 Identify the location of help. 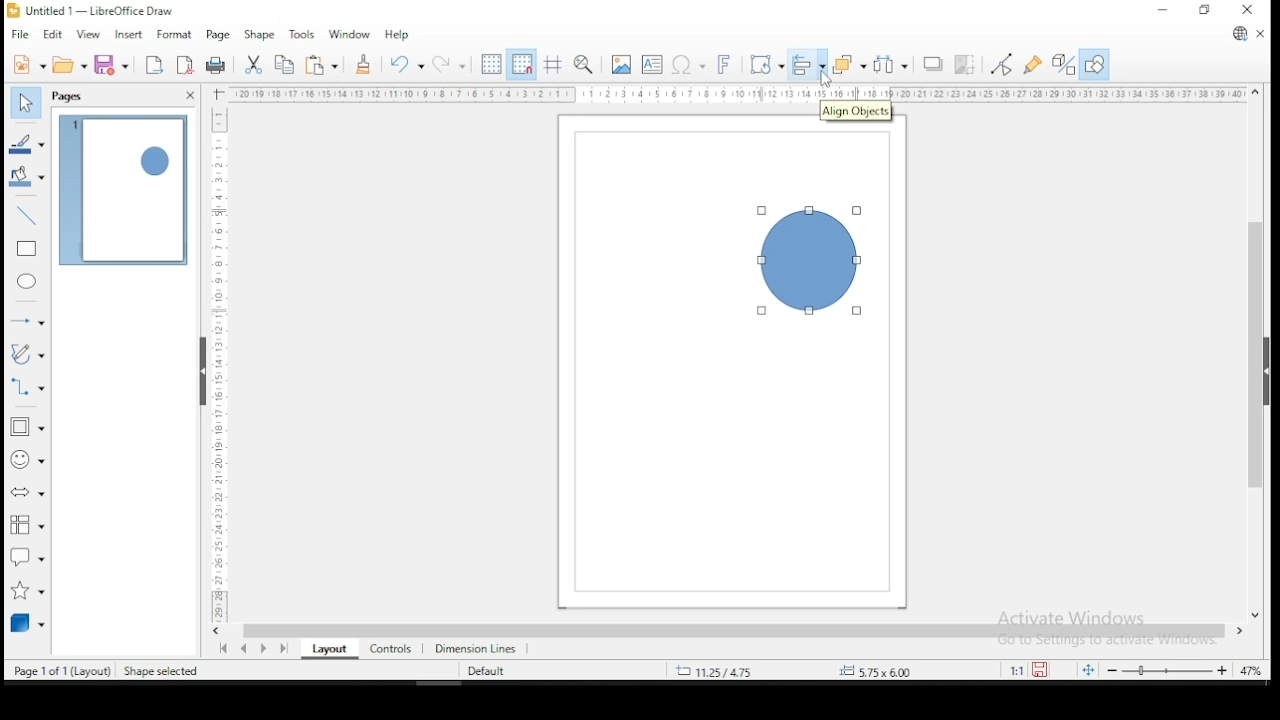
(398, 34).